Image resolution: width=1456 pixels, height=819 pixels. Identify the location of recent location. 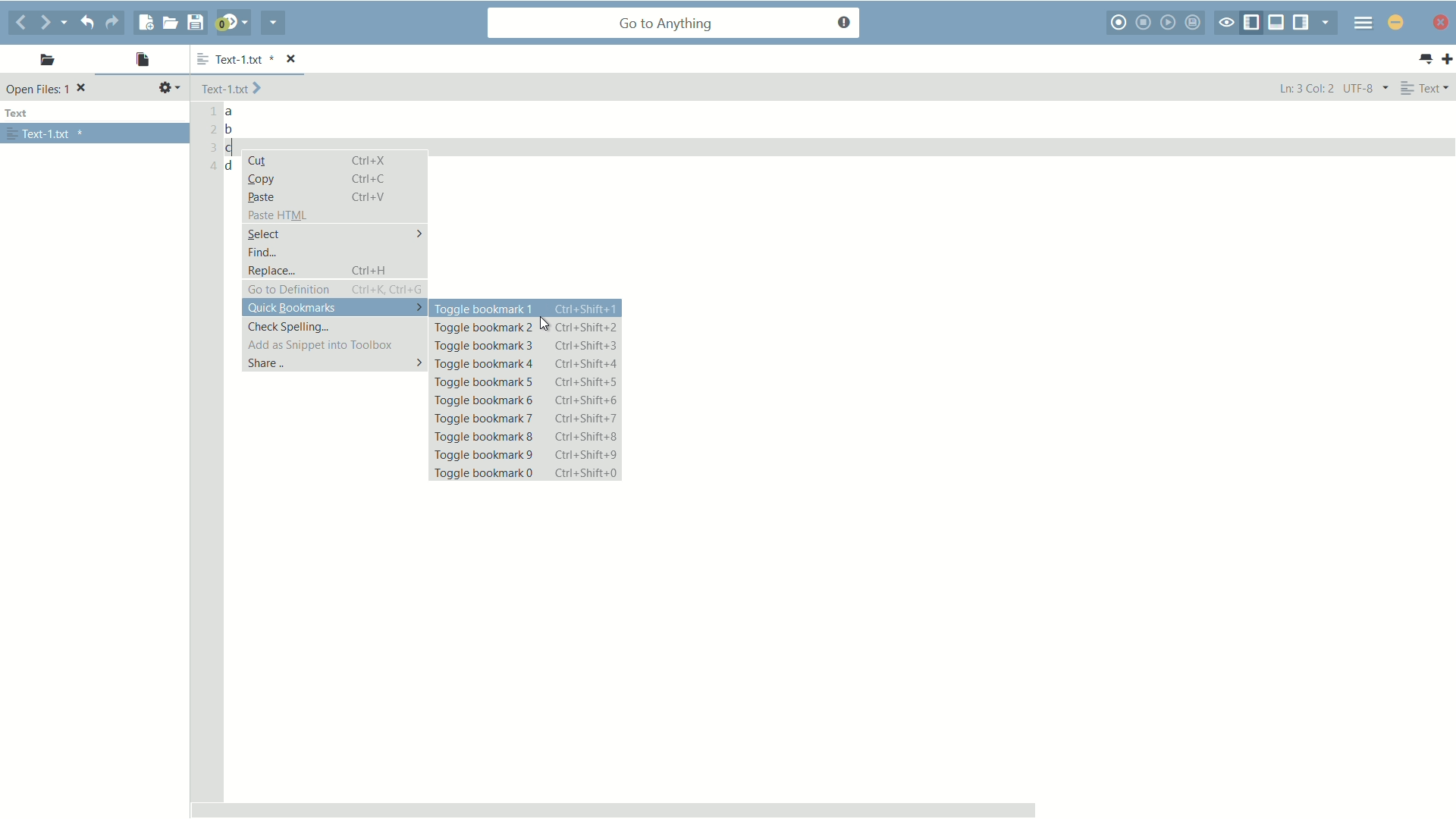
(70, 20).